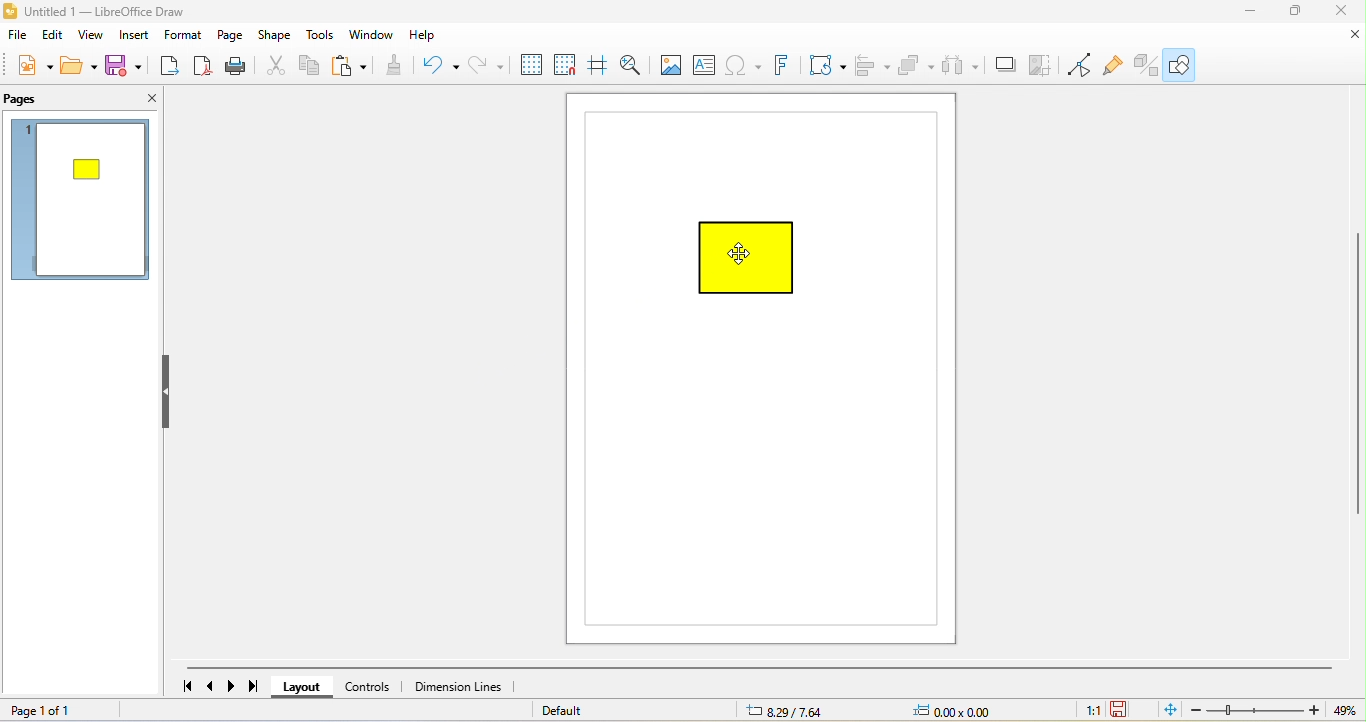  Describe the element at coordinates (787, 67) in the screenshot. I see `fontwork text` at that location.